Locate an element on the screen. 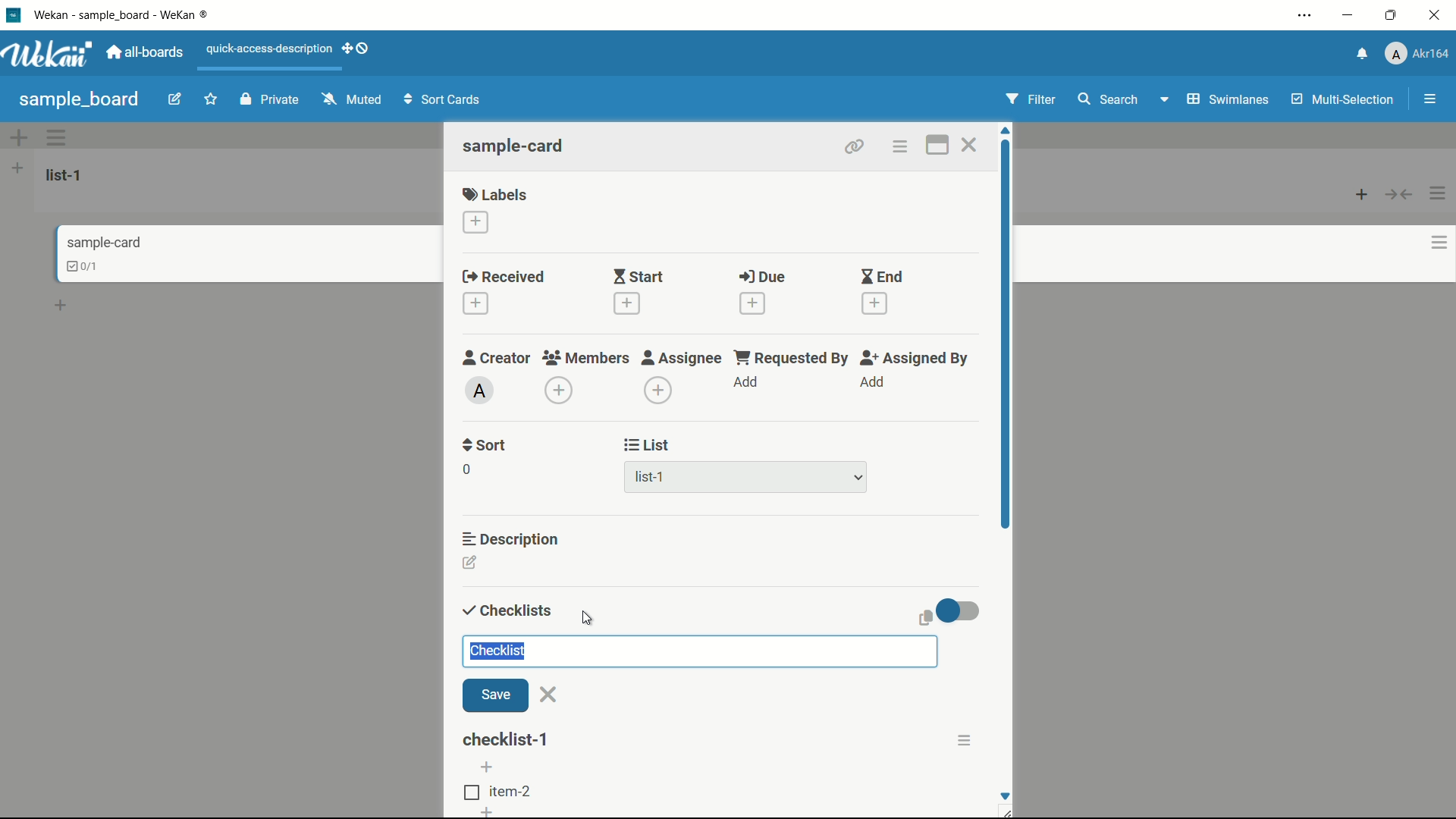 Image resolution: width=1456 pixels, height=819 pixels. star is located at coordinates (213, 101).